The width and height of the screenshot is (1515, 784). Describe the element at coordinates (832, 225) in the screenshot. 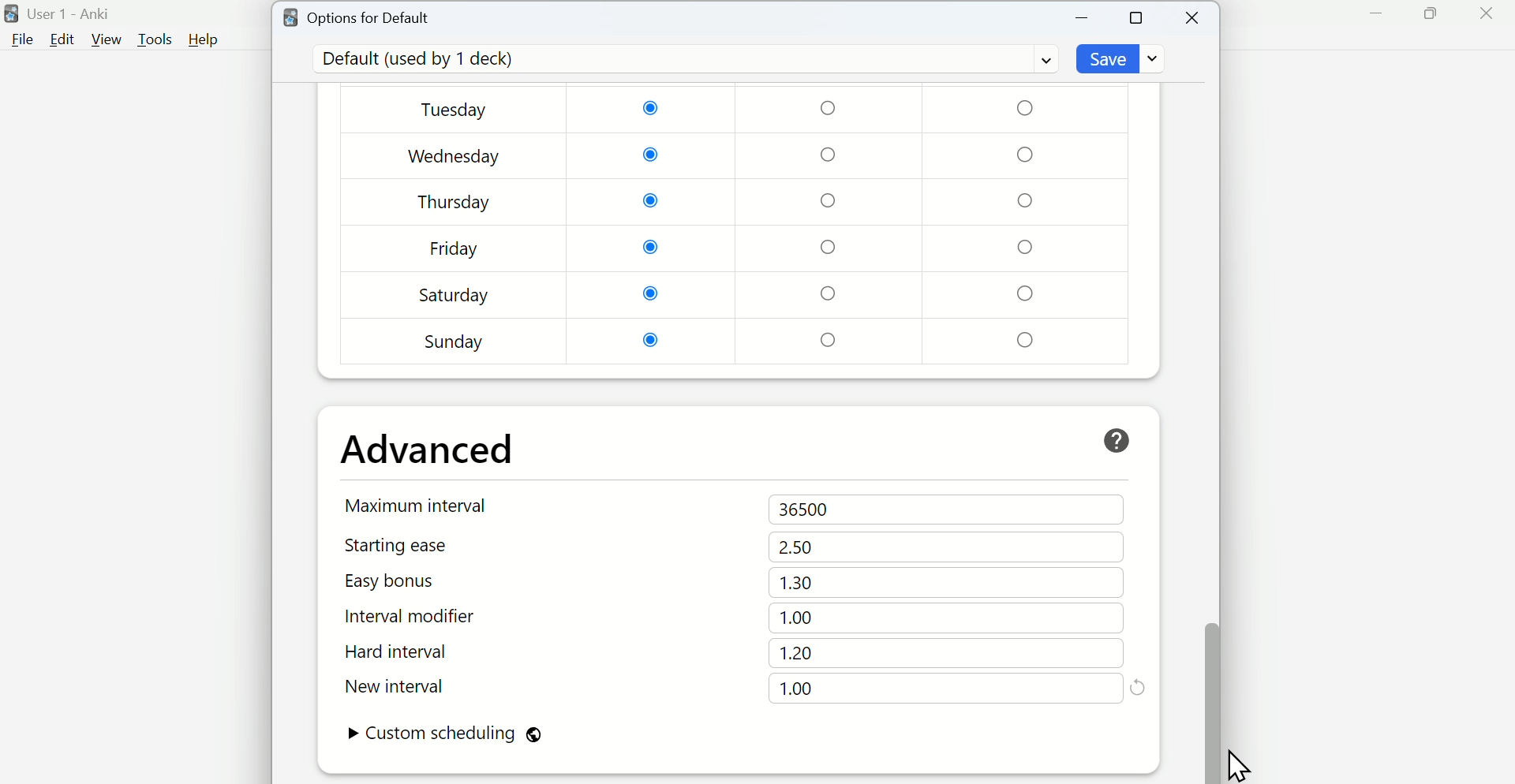

I see `Checkboxes` at that location.